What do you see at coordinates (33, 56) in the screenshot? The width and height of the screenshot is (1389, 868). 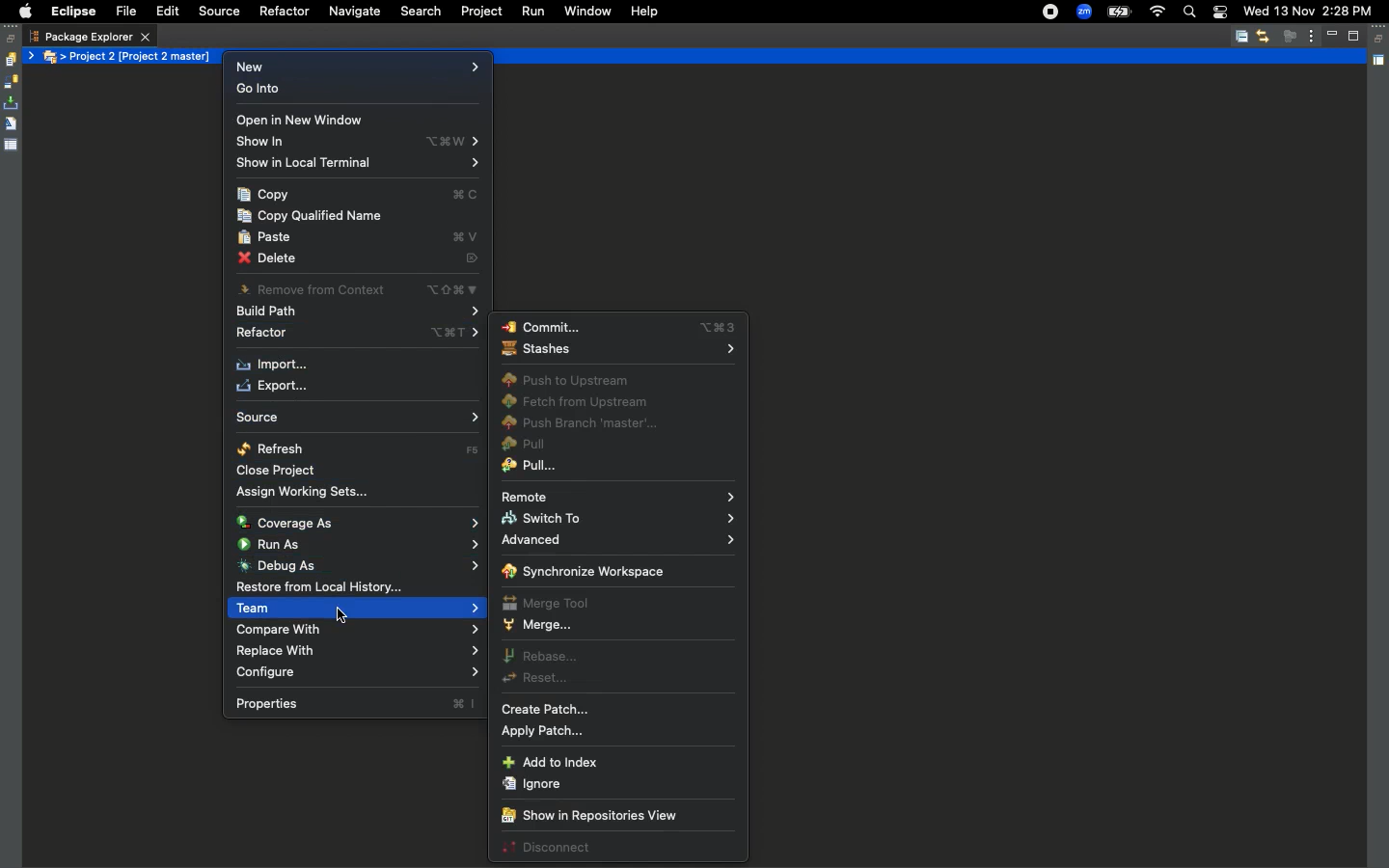 I see `Arrow` at bounding box center [33, 56].